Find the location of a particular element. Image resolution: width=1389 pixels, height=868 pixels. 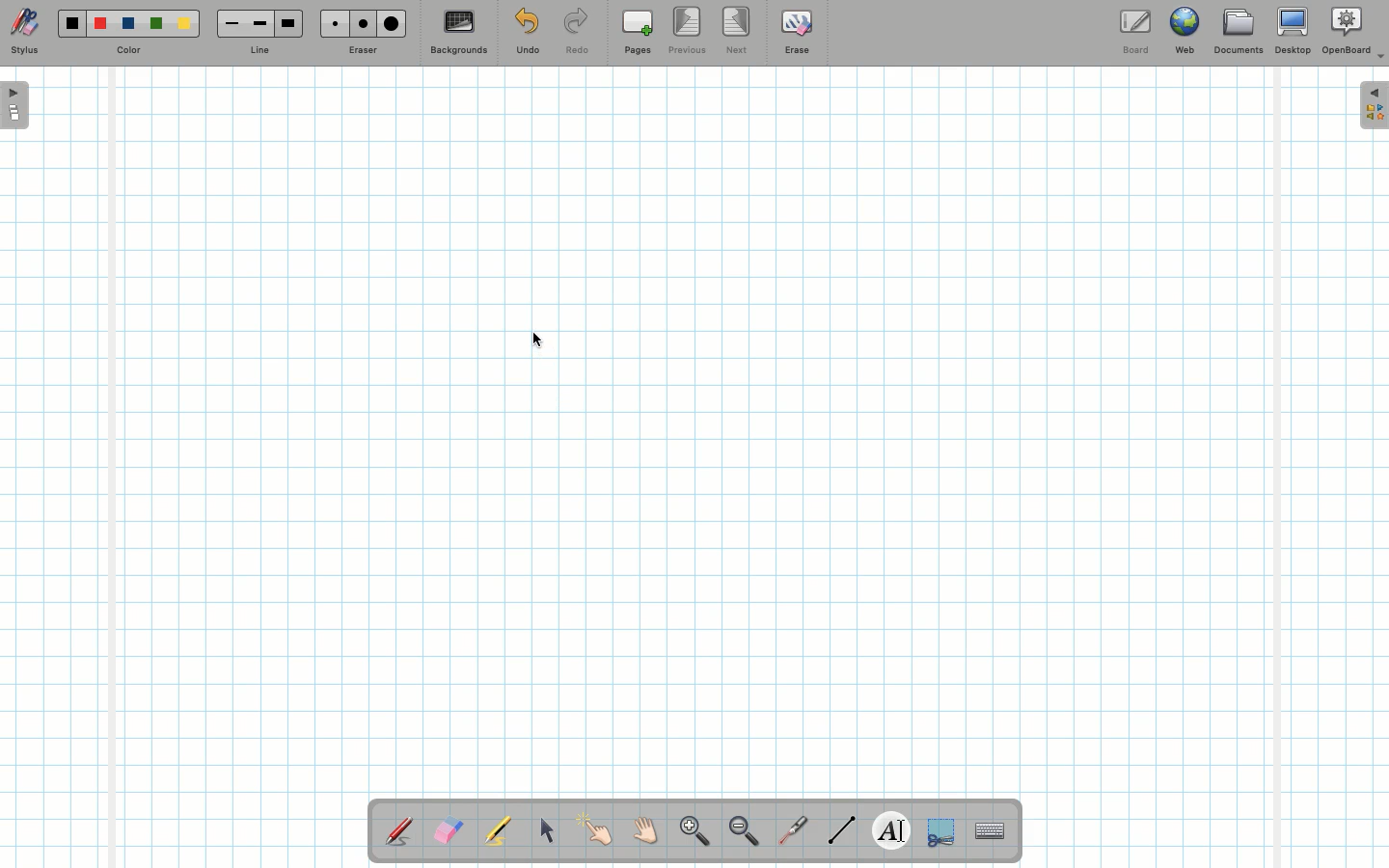

Erase is located at coordinates (796, 31).